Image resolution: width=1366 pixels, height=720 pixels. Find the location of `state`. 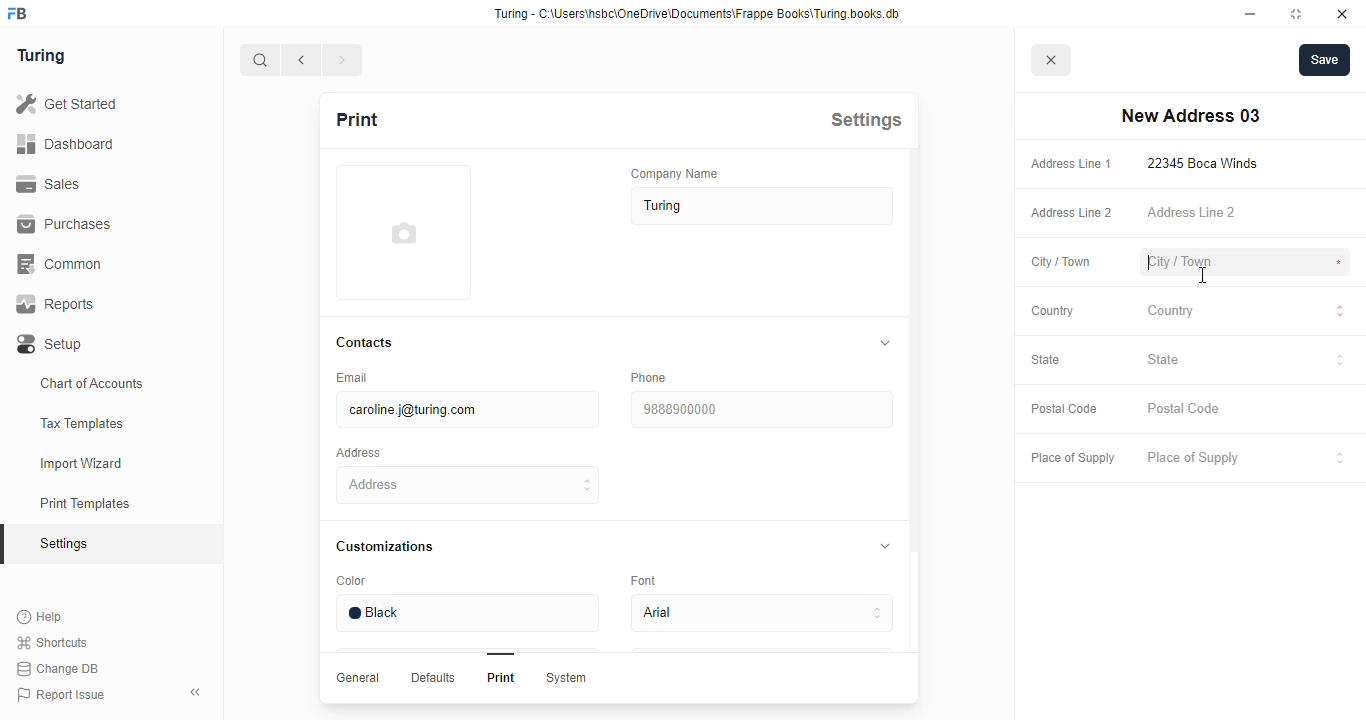

state is located at coordinates (1246, 362).